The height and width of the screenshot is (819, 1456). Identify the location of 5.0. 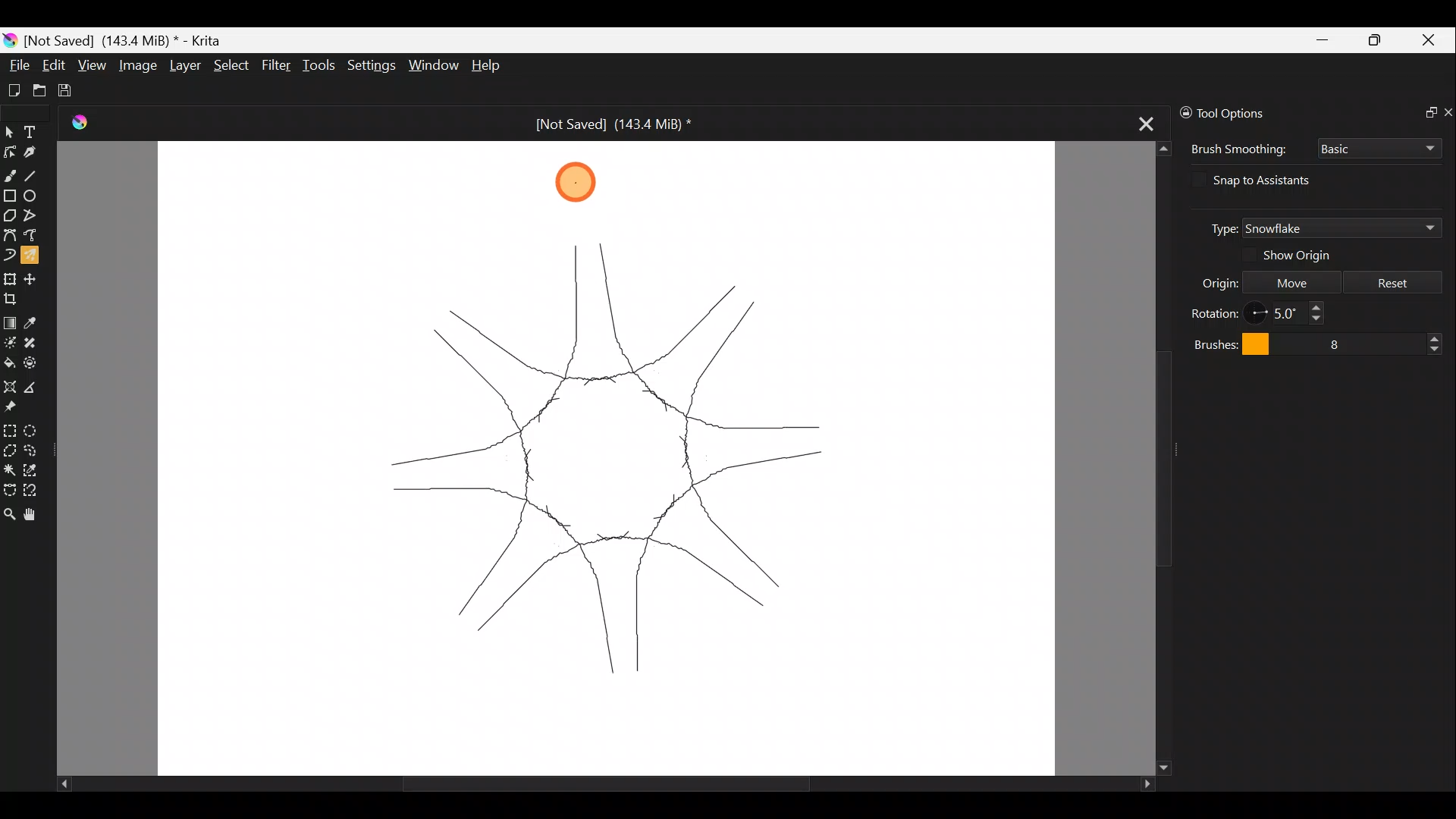
(1292, 313).